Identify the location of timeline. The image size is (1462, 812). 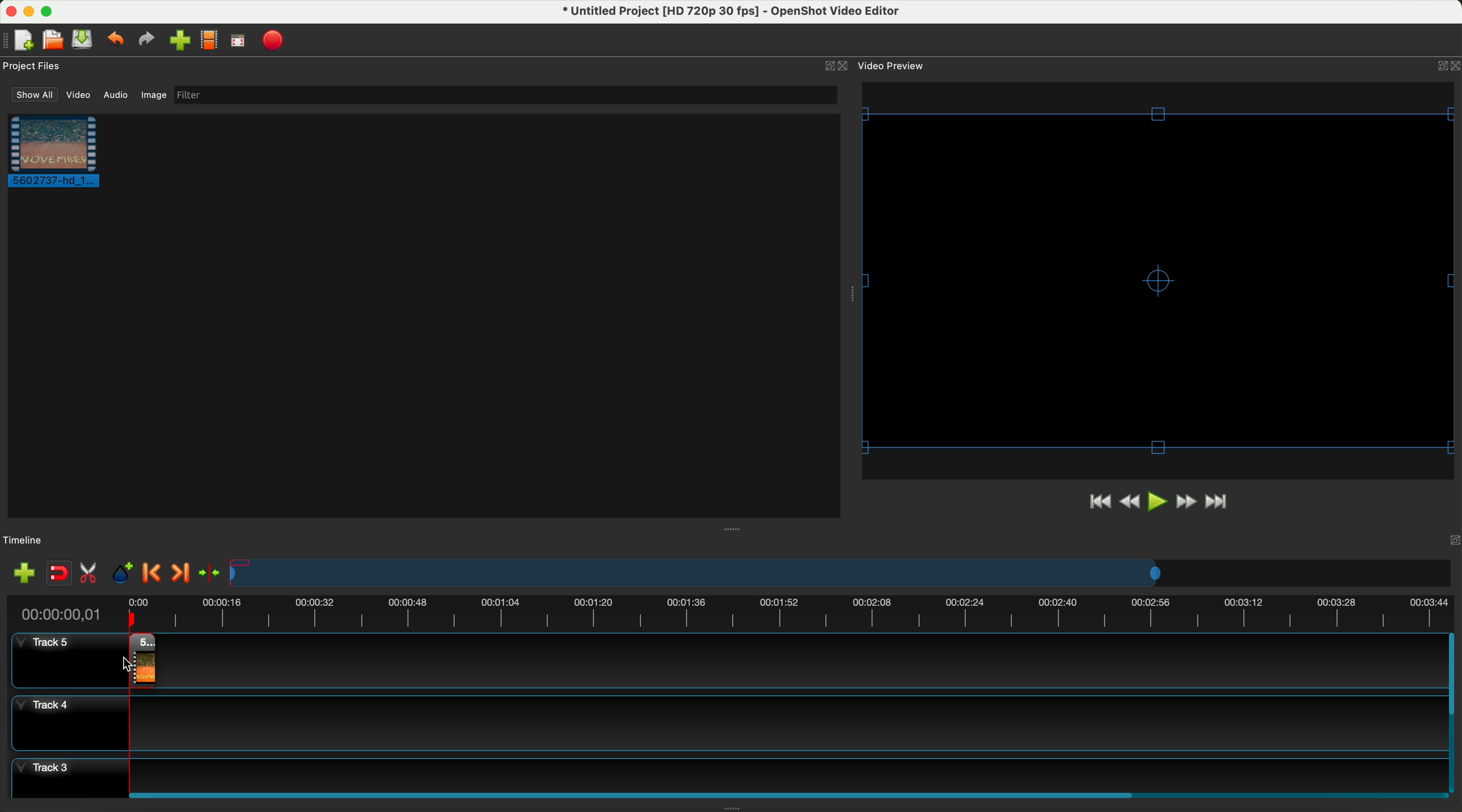
(24, 541).